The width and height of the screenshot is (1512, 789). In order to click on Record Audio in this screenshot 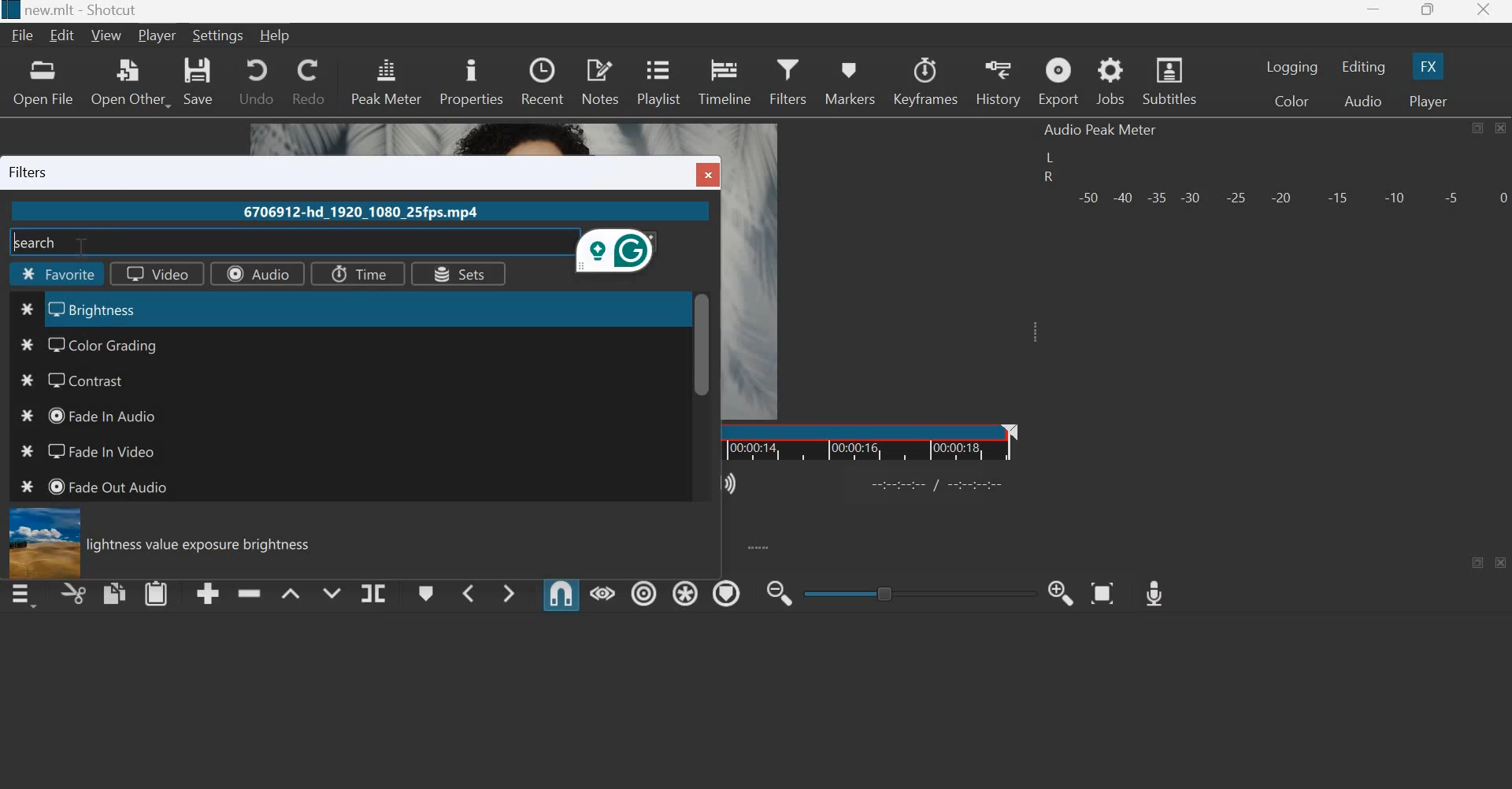, I will do `click(1153, 589)`.